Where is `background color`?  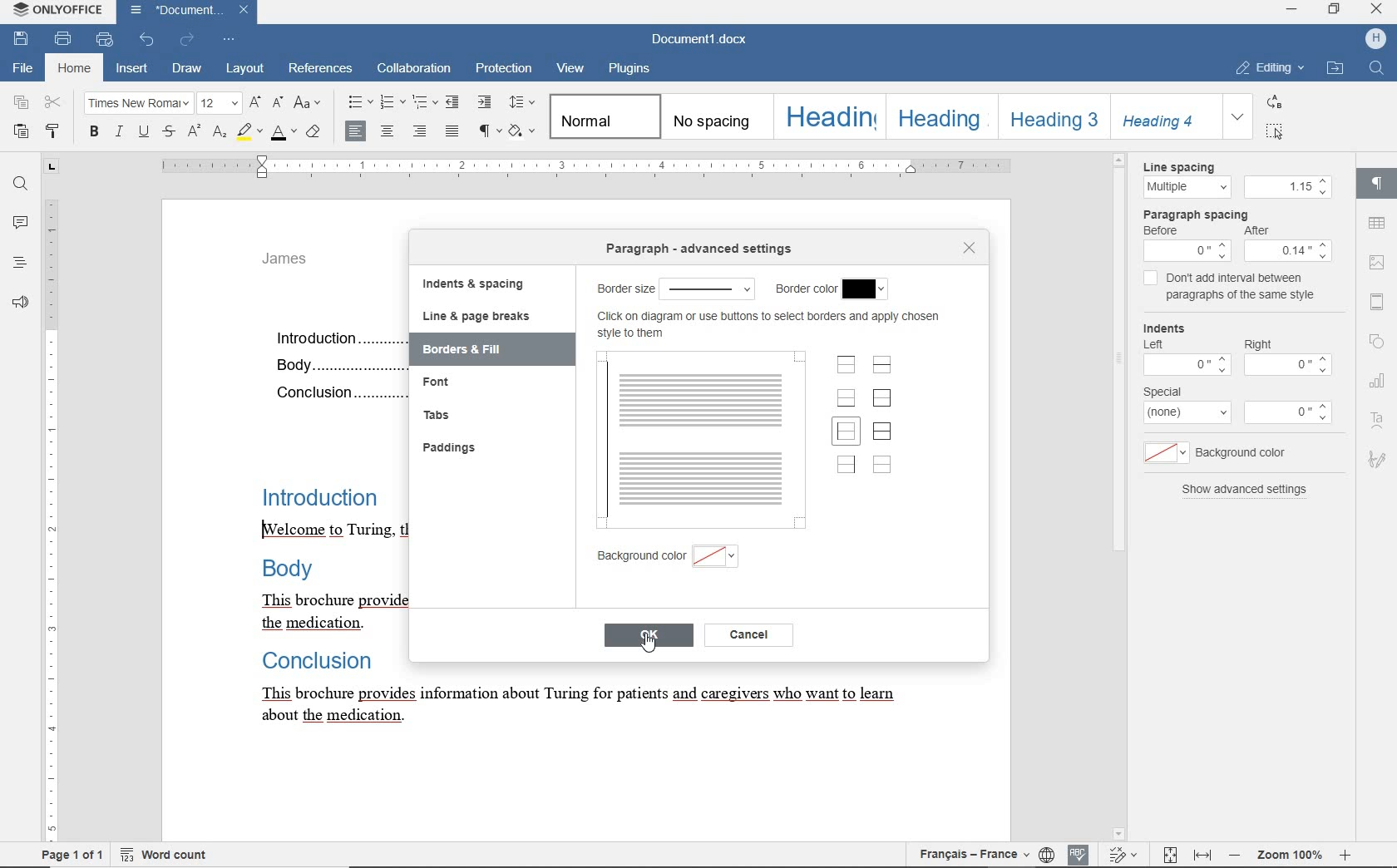 background color is located at coordinates (639, 560).